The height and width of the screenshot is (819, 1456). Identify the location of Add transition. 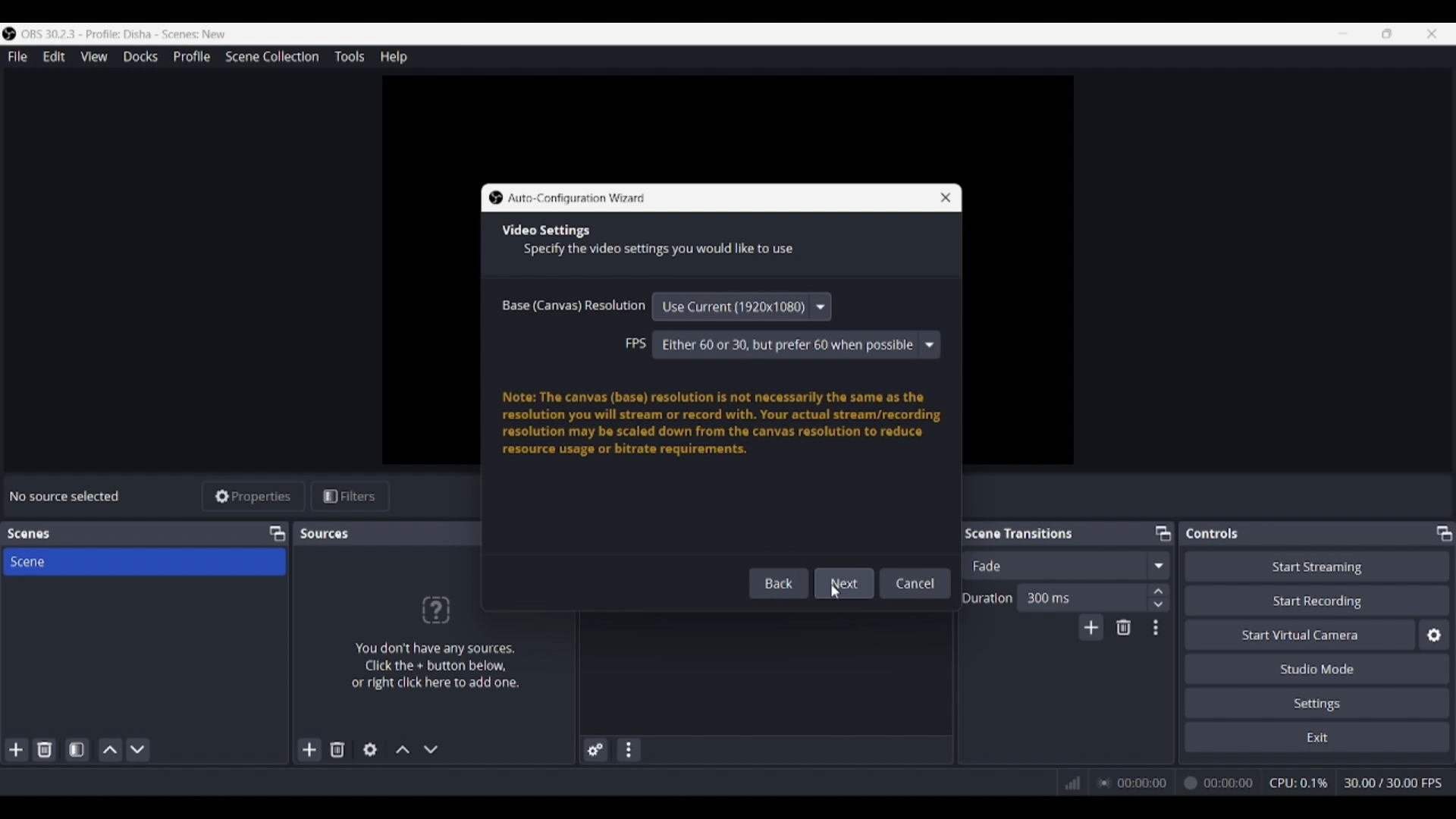
(1090, 627).